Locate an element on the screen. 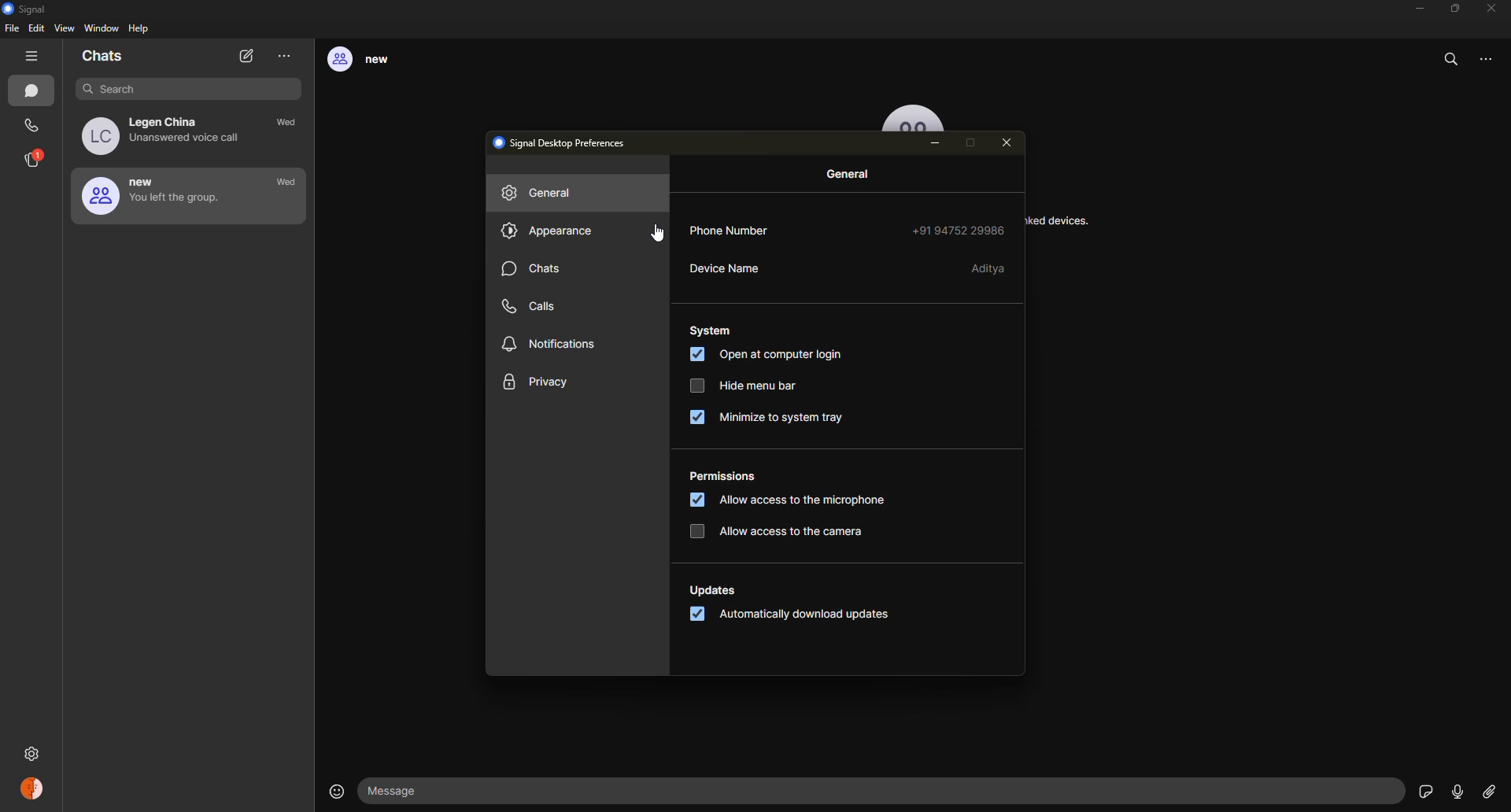  search is located at coordinates (1453, 59).